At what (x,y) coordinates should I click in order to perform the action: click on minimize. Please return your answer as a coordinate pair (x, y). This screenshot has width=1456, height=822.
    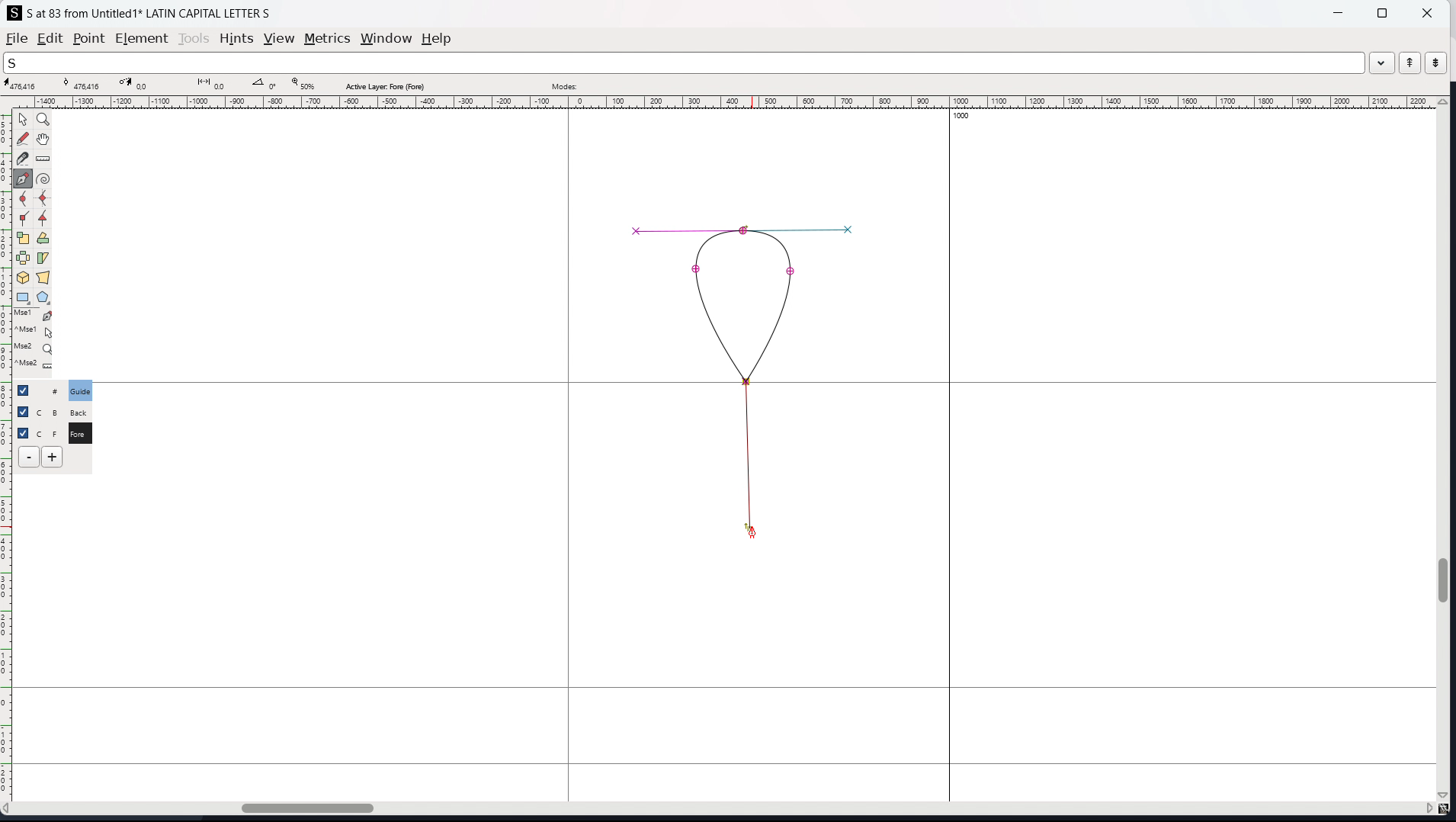
    Looking at the image, I should click on (1340, 11).